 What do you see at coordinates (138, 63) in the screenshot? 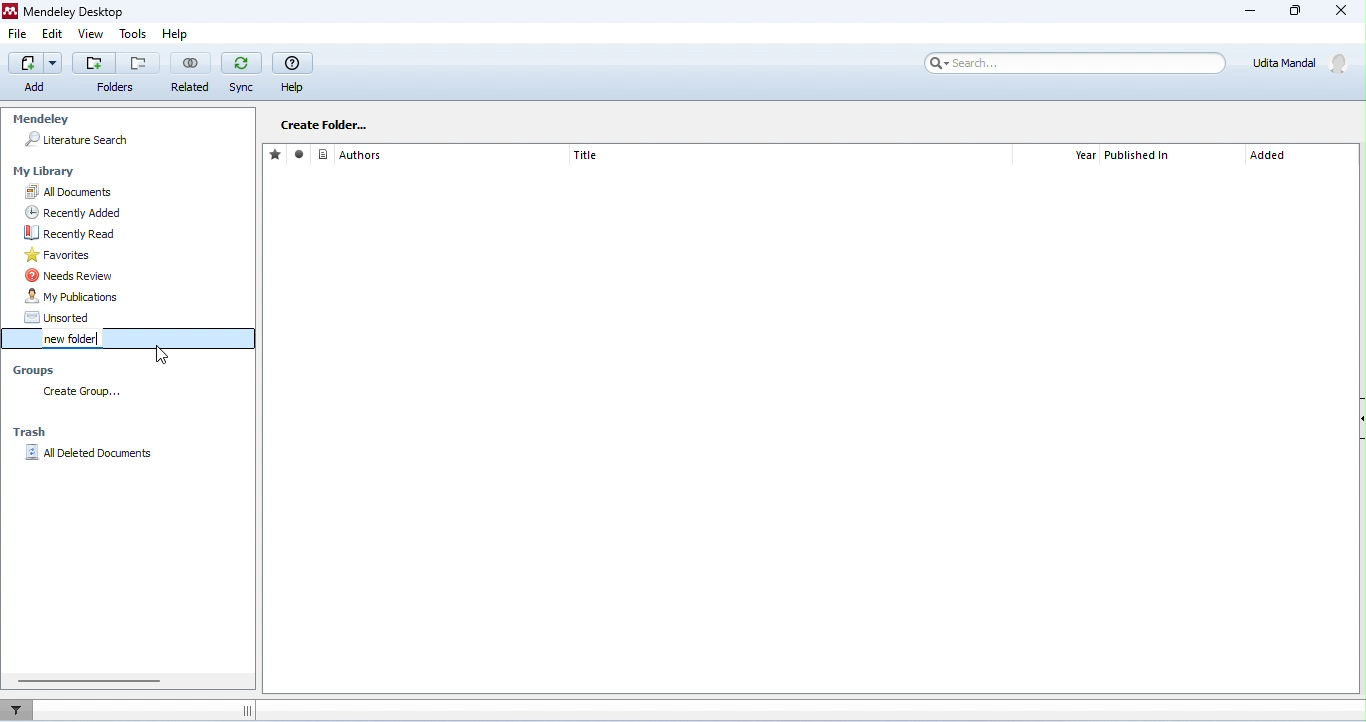
I see `remove` at bounding box center [138, 63].